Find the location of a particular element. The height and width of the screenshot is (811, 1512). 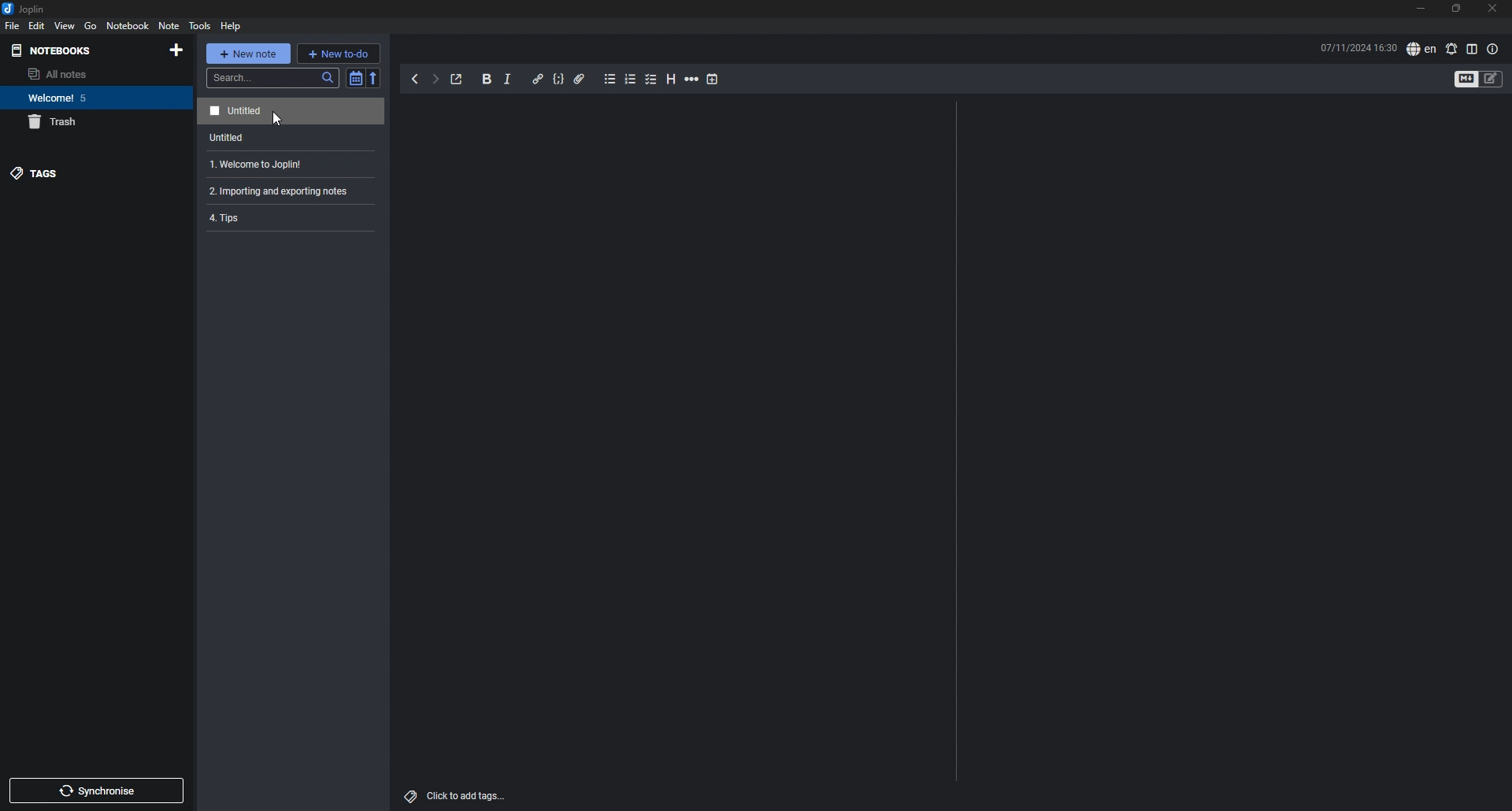

spell check is located at coordinates (1421, 50).